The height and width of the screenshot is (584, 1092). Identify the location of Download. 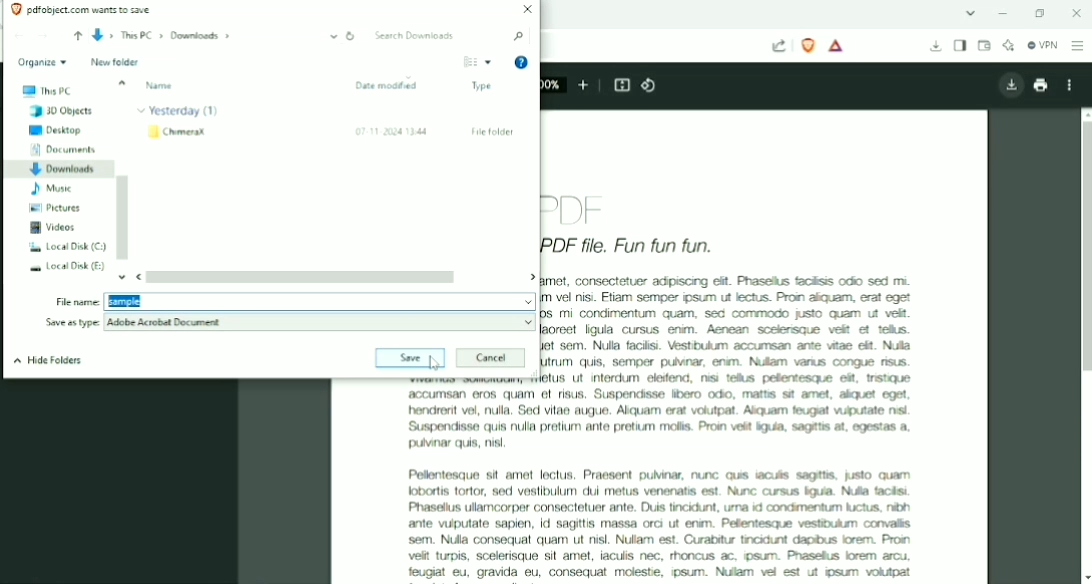
(1009, 86).